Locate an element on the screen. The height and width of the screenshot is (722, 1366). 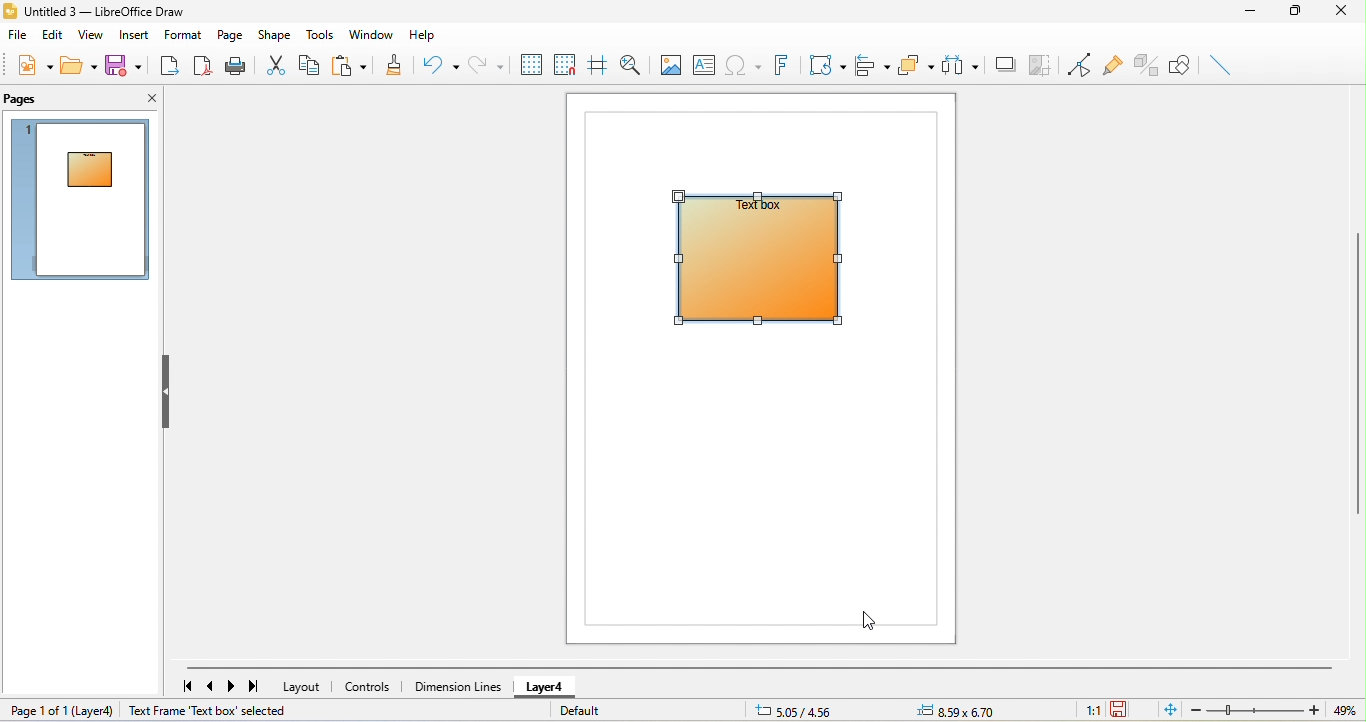
crop image is located at coordinates (1041, 63).